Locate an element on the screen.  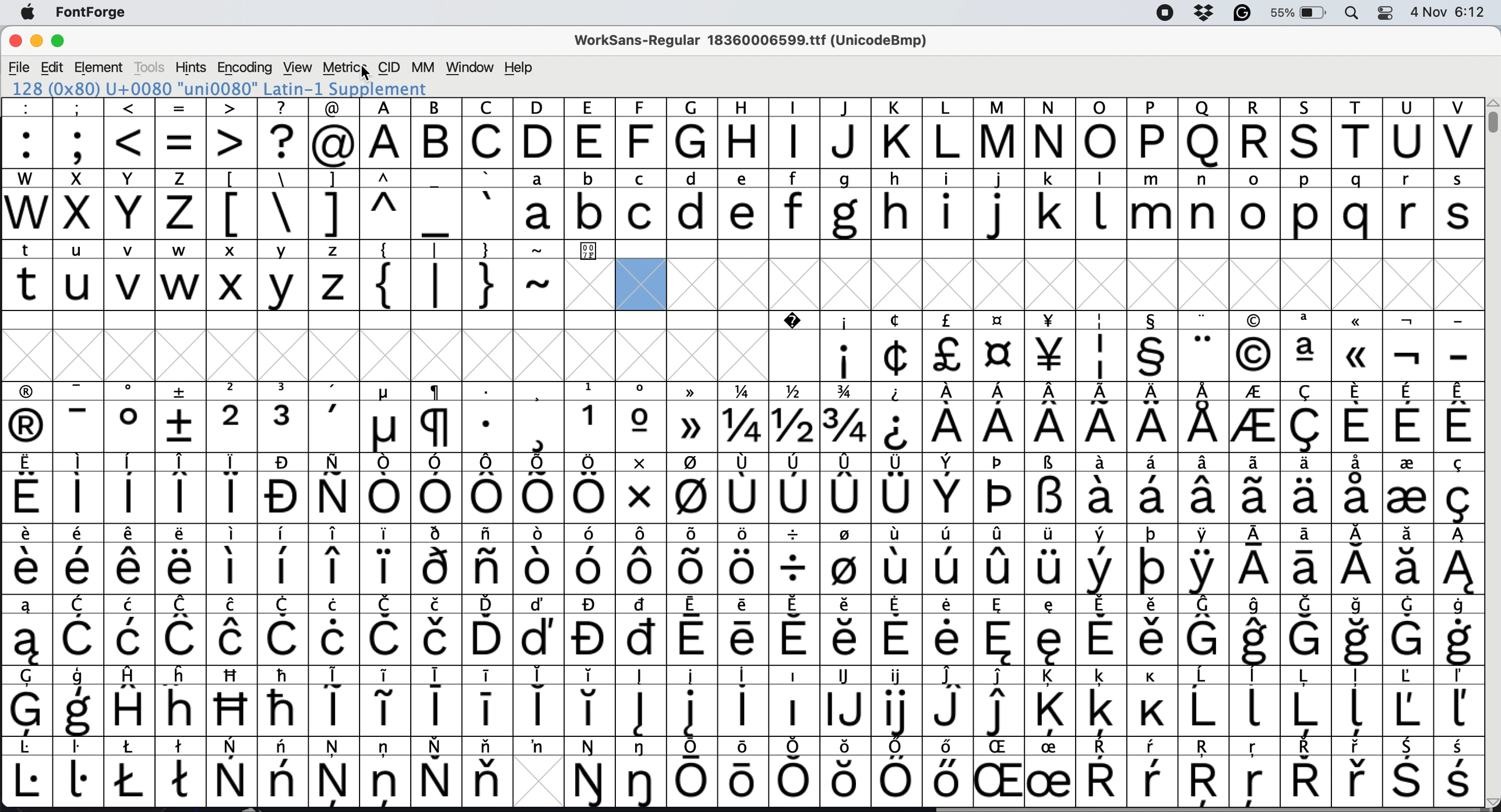
special characters is located at coordinates (745, 638).